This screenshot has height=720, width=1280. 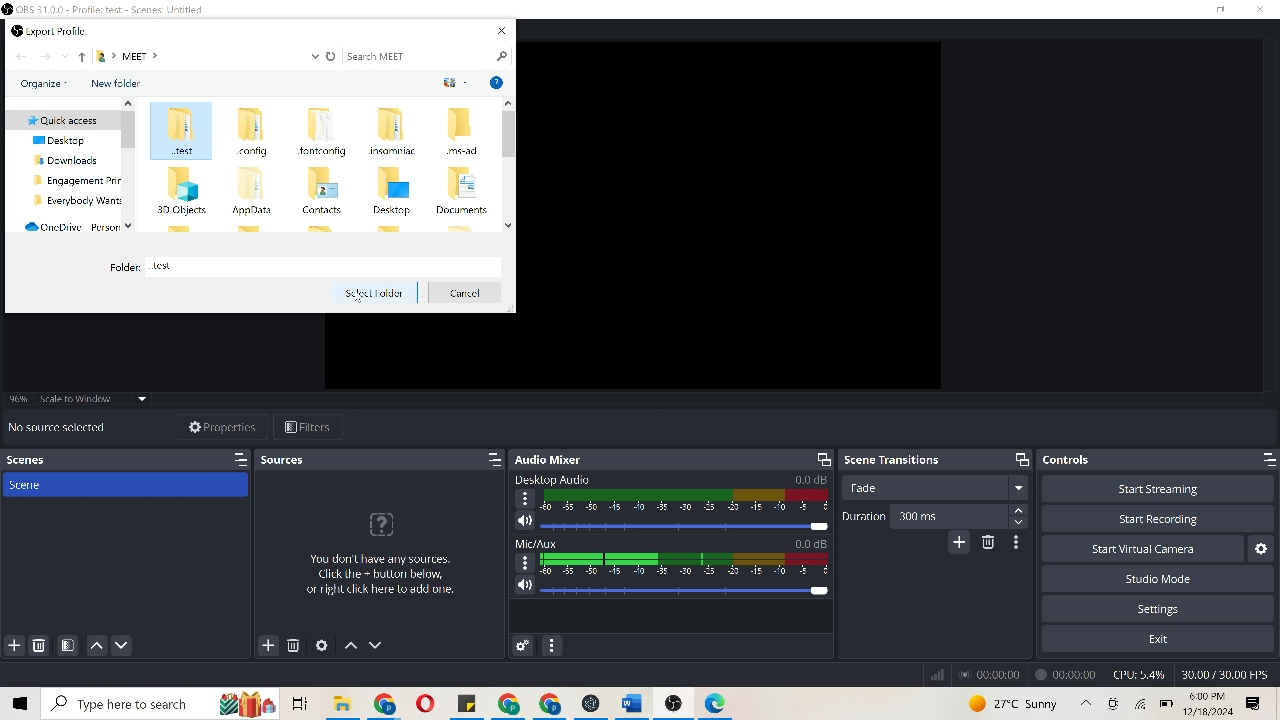 I want to click on controls, so click(x=1089, y=459).